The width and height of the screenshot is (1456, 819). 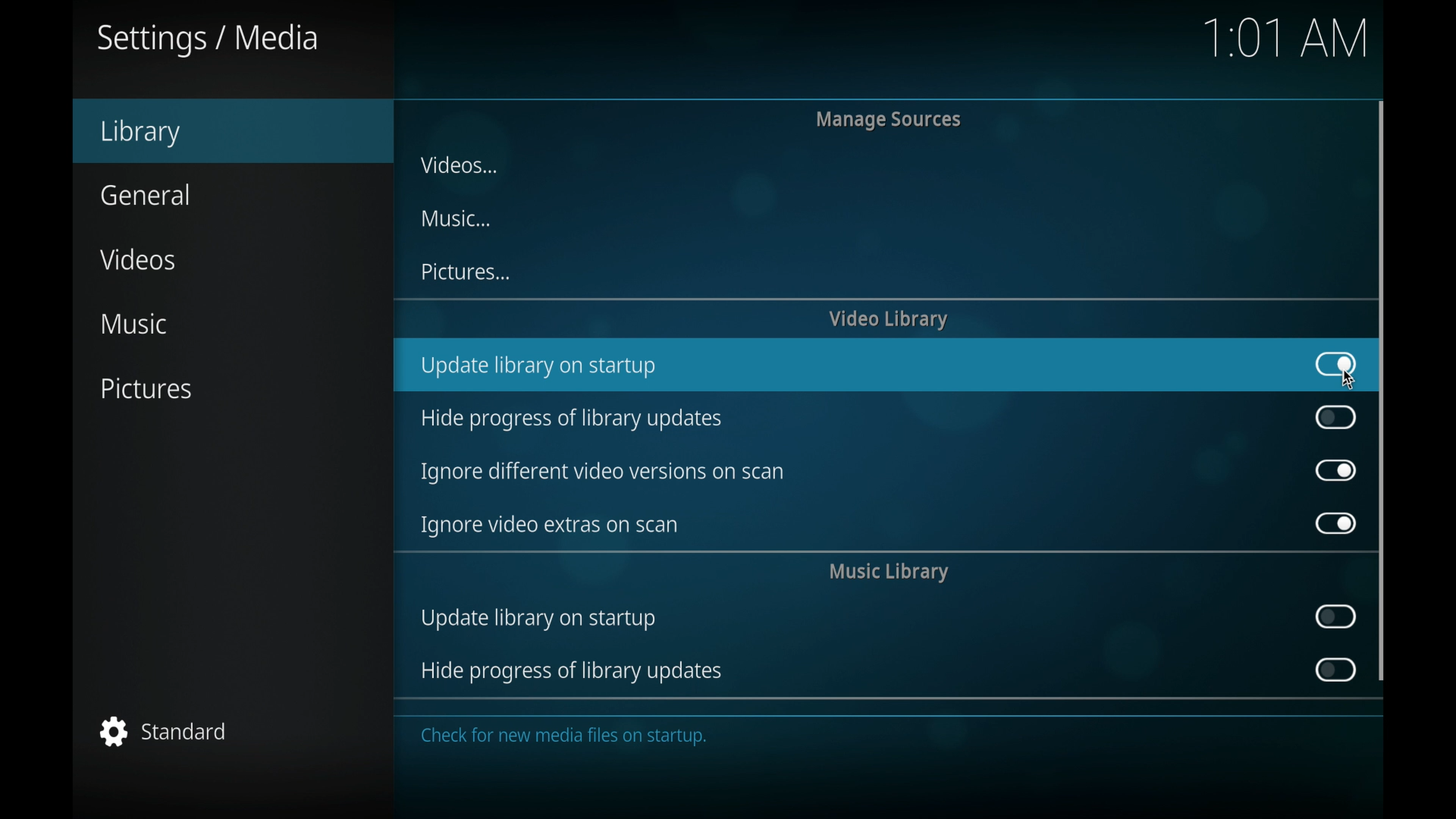 I want to click on toggle button, so click(x=1336, y=523).